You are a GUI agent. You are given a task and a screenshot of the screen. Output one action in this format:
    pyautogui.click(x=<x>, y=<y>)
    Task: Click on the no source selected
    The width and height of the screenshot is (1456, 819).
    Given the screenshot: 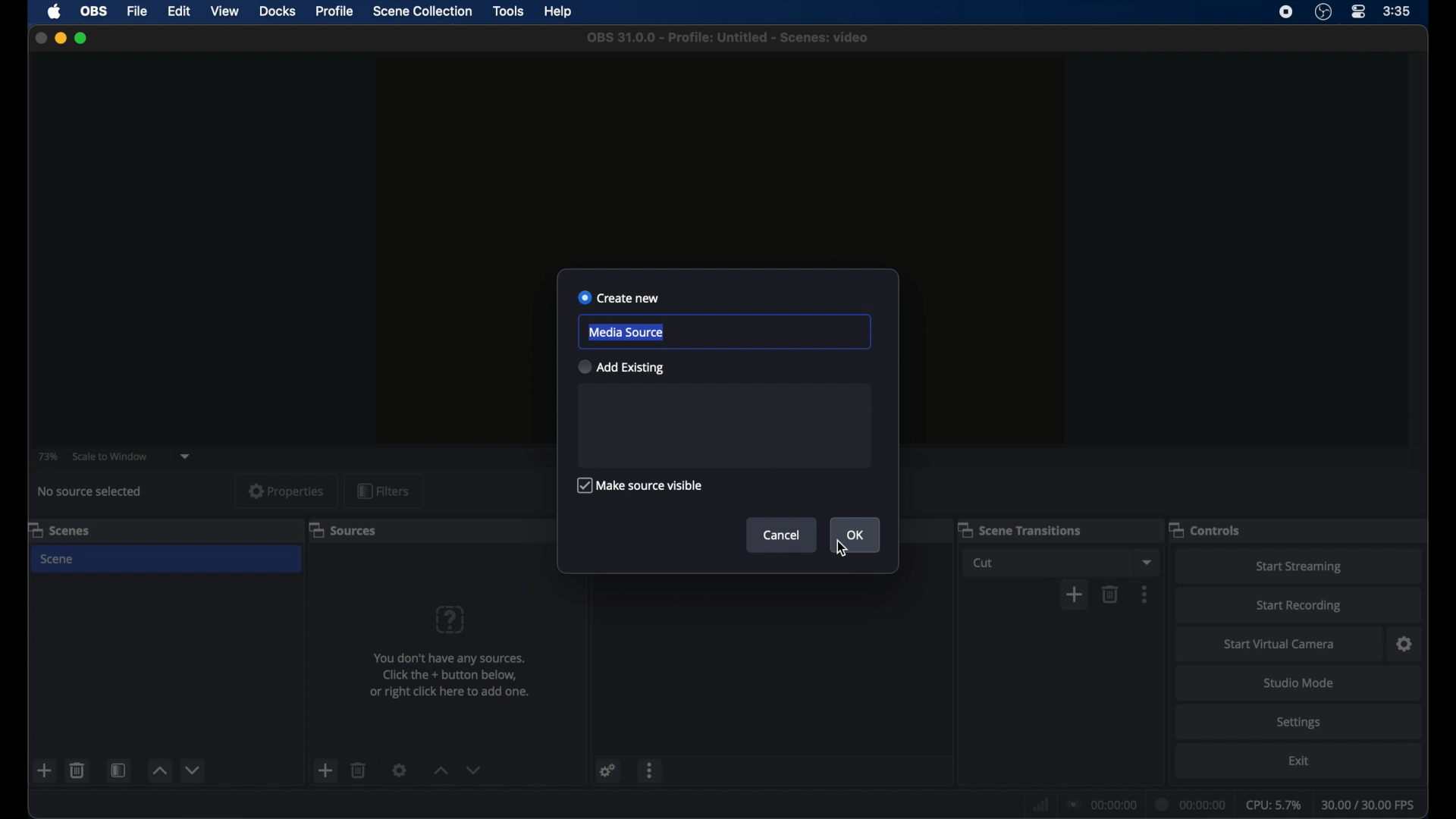 What is the action you would take?
    pyautogui.click(x=90, y=492)
    